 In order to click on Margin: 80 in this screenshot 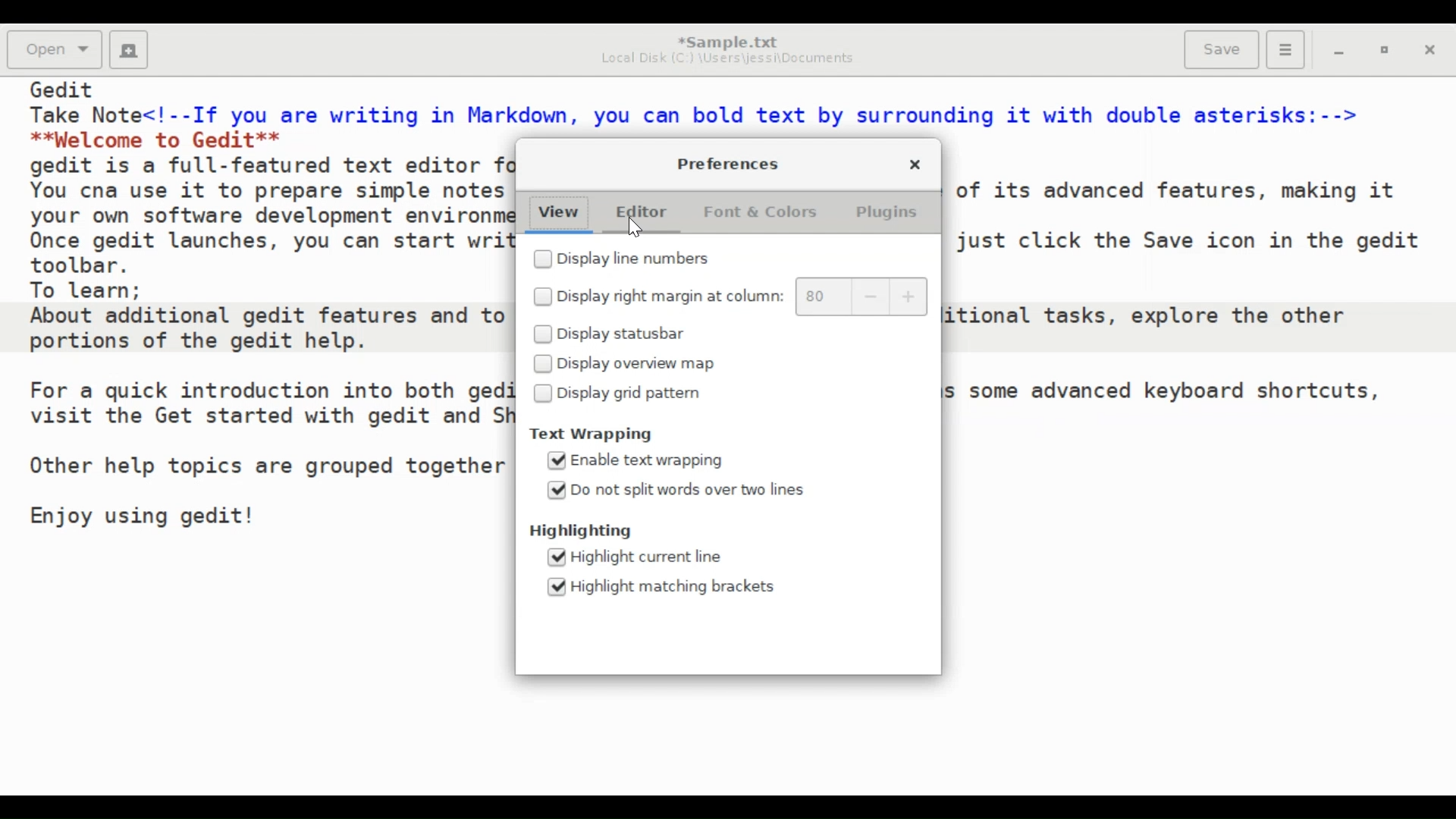, I will do `click(817, 297)`.